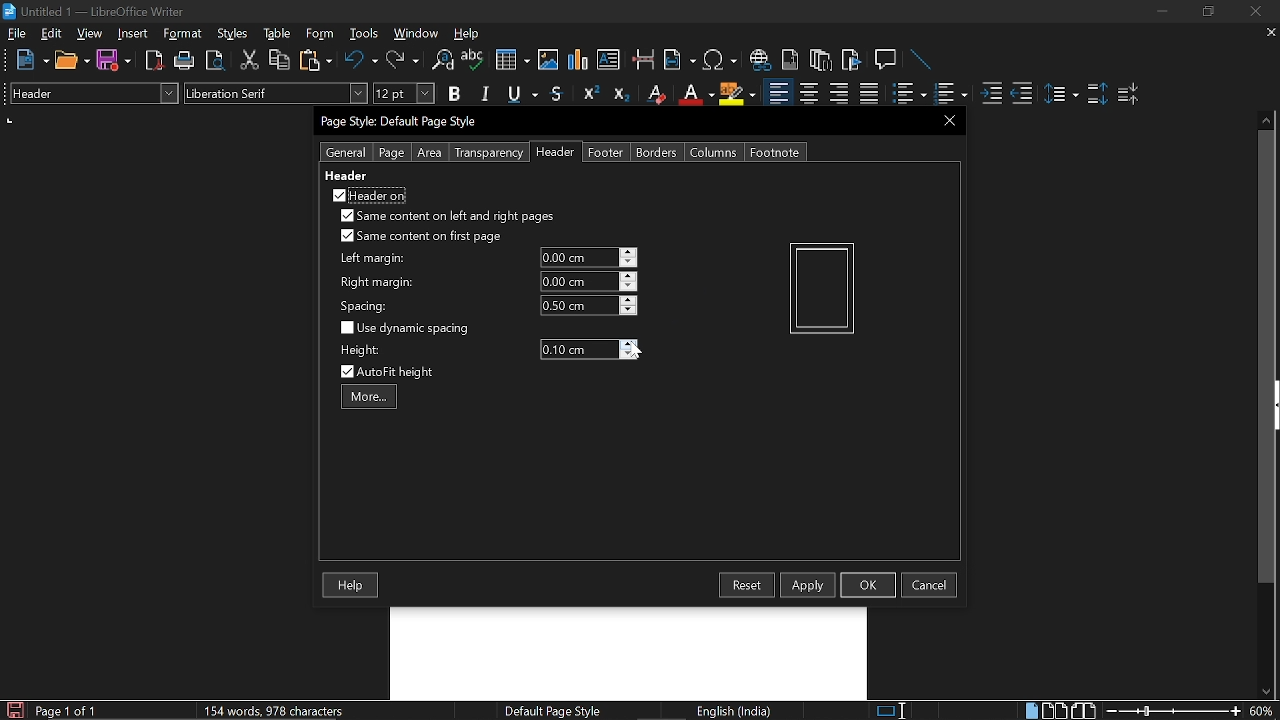 This screenshot has height=720, width=1280. What do you see at coordinates (454, 96) in the screenshot?
I see `Bold` at bounding box center [454, 96].